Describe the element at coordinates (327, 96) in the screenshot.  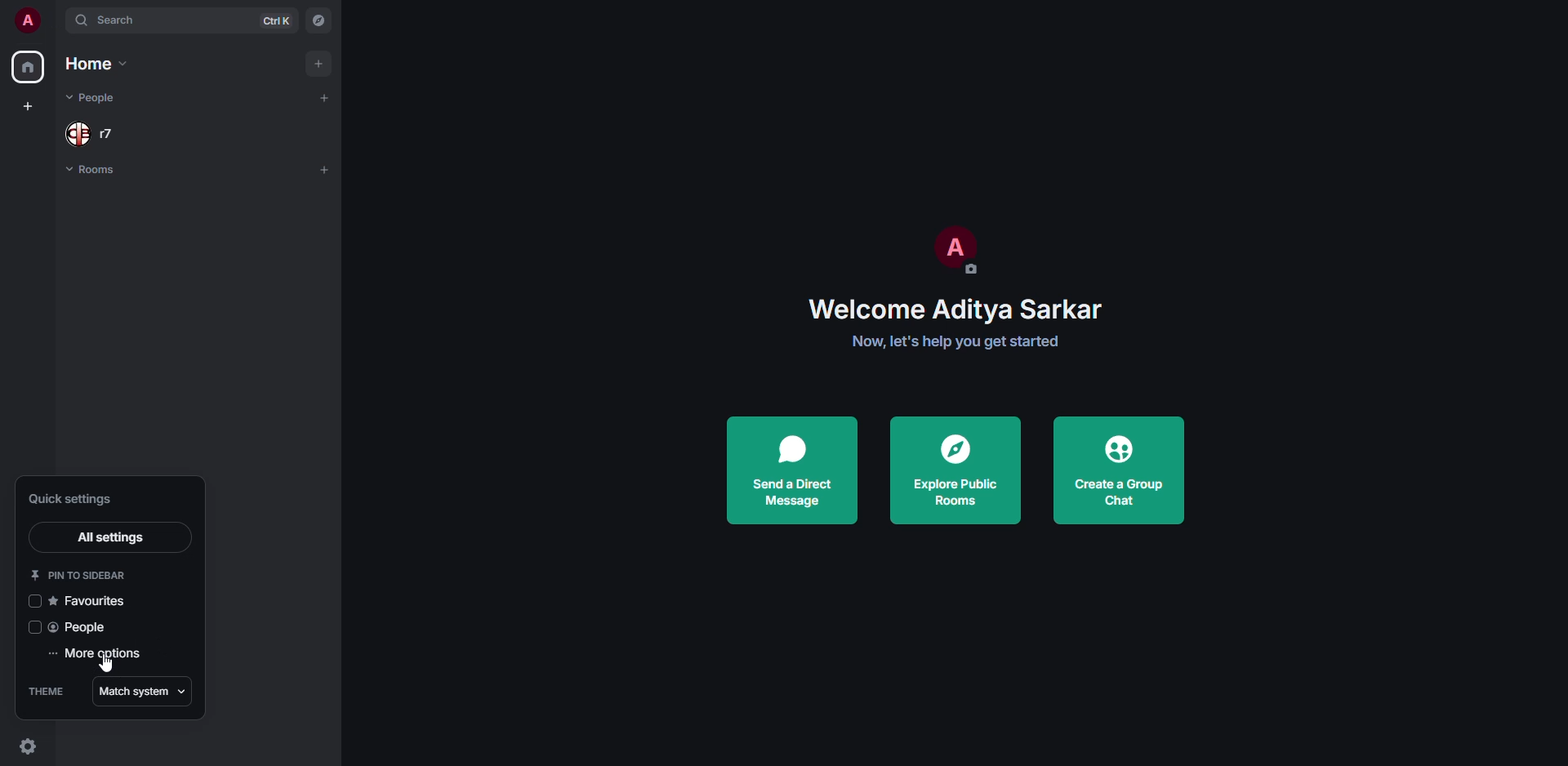
I see `add` at that location.